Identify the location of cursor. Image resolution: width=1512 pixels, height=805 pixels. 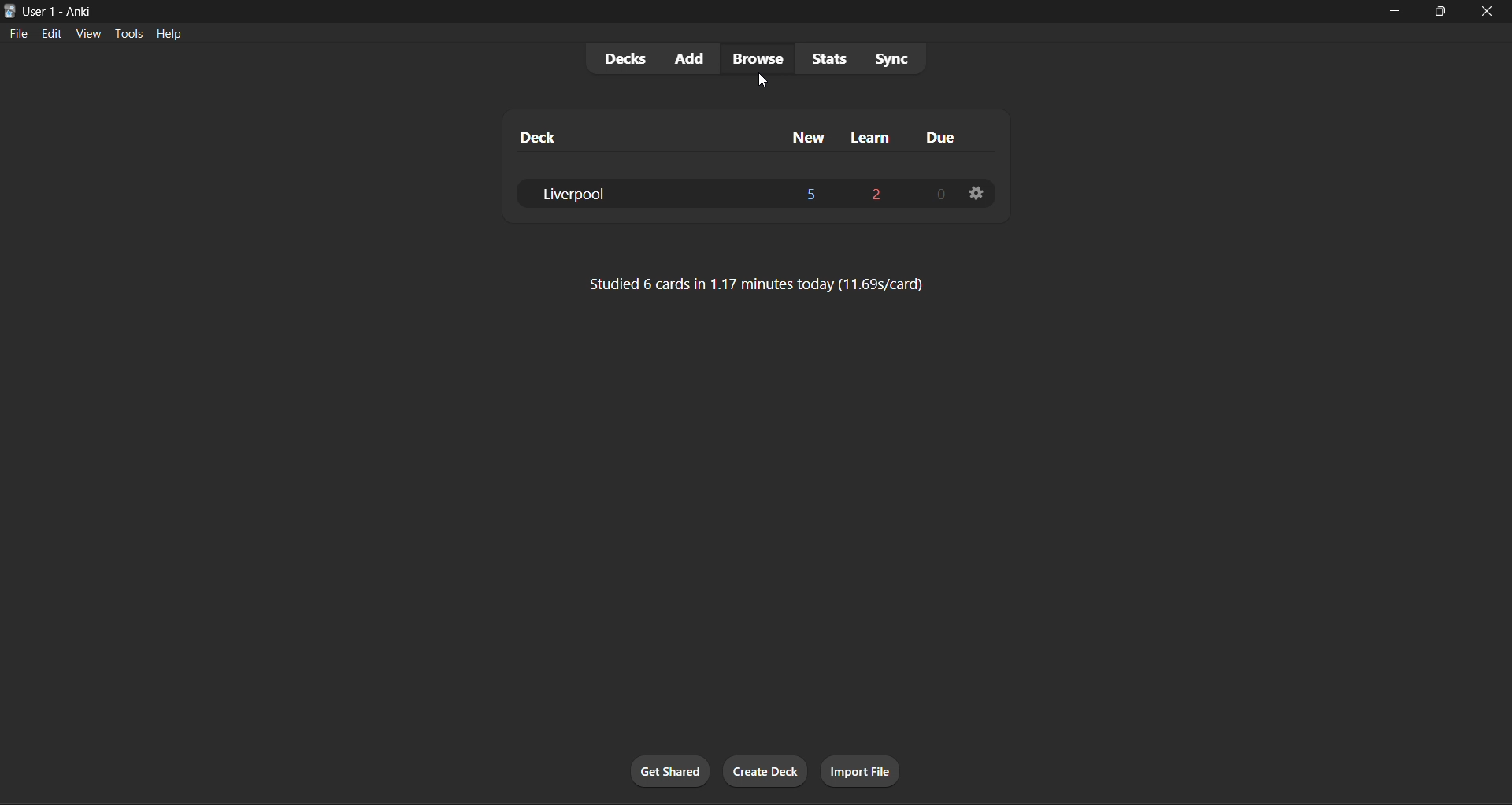
(765, 82).